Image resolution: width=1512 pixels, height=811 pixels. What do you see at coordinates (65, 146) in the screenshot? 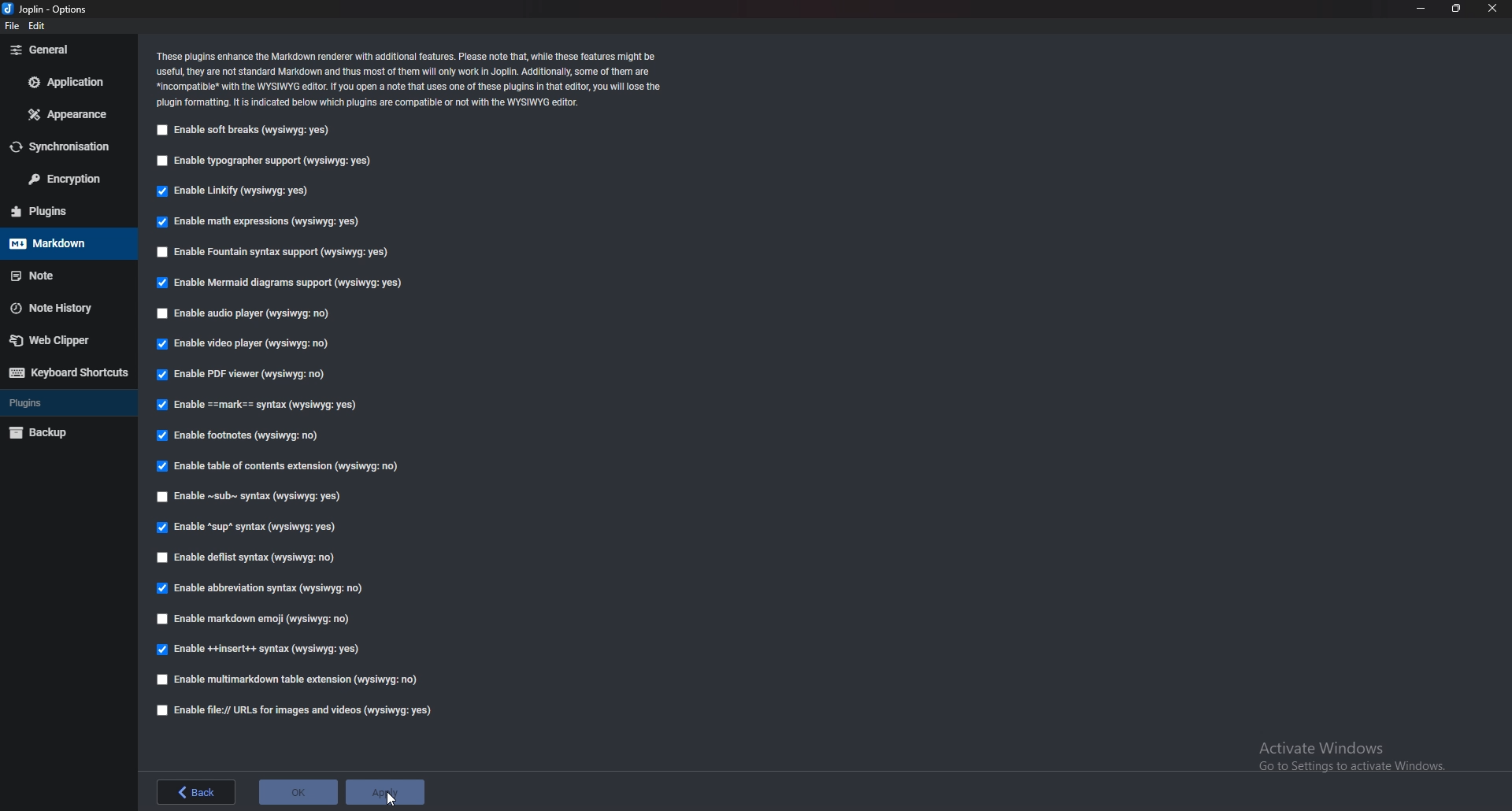
I see `Synchronization` at bounding box center [65, 146].